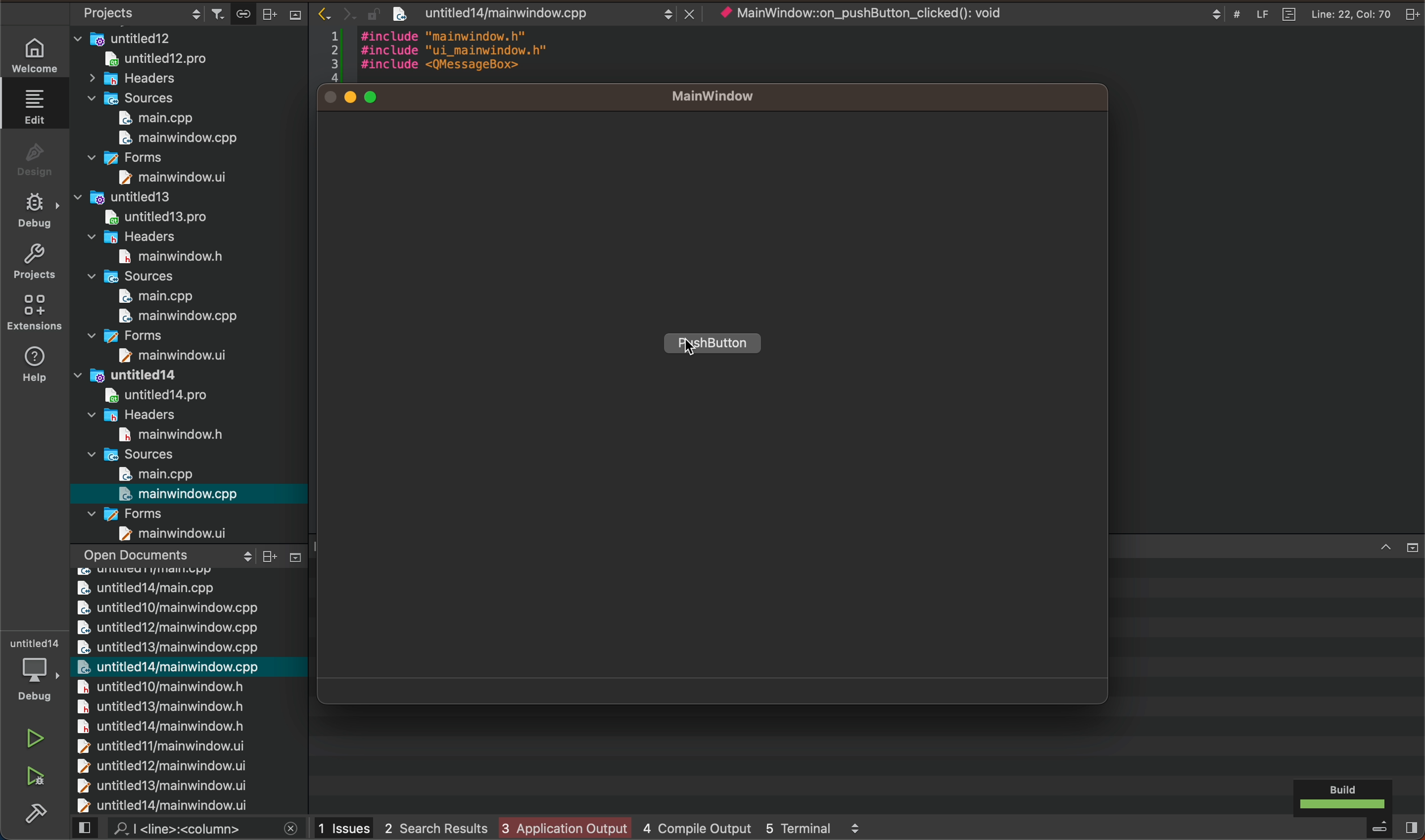  Describe the element at coordinates (162, 256) in the screenshot. I see `main window` at that location.